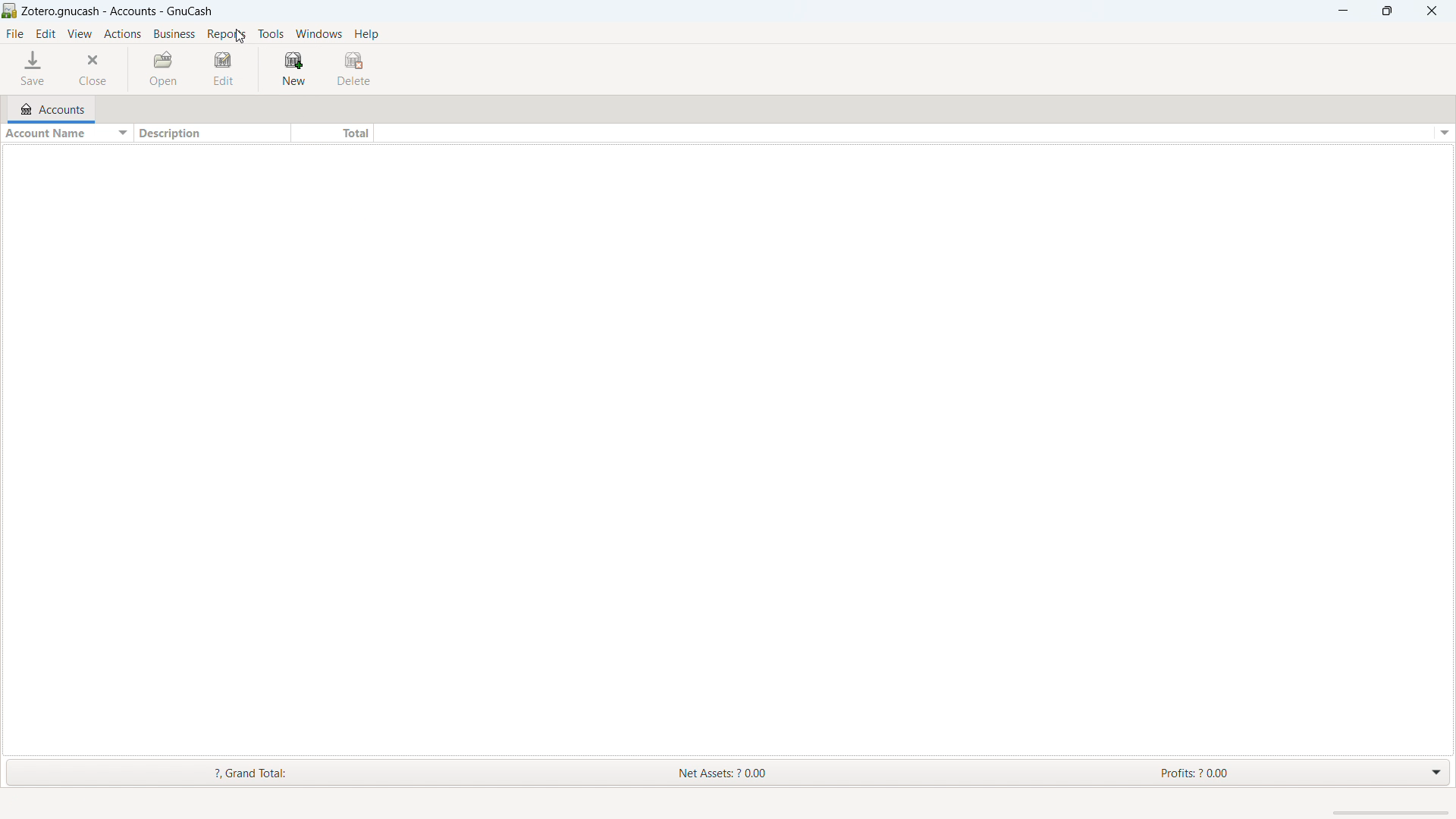 This screenshot has height=819, width=1456. I want to click on delete, so click(354, 68).